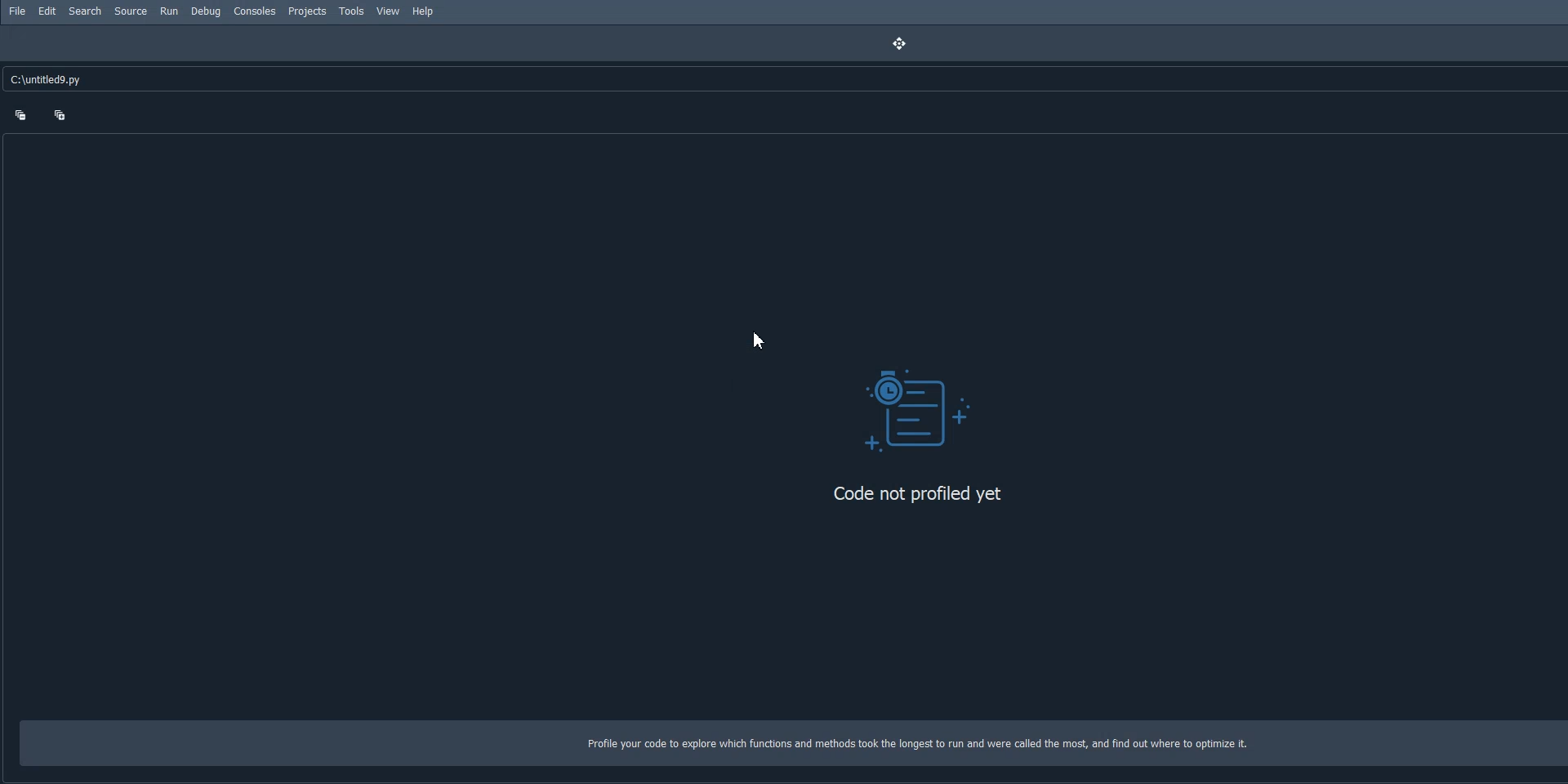  I want to click on Edit, so click(47, 11).